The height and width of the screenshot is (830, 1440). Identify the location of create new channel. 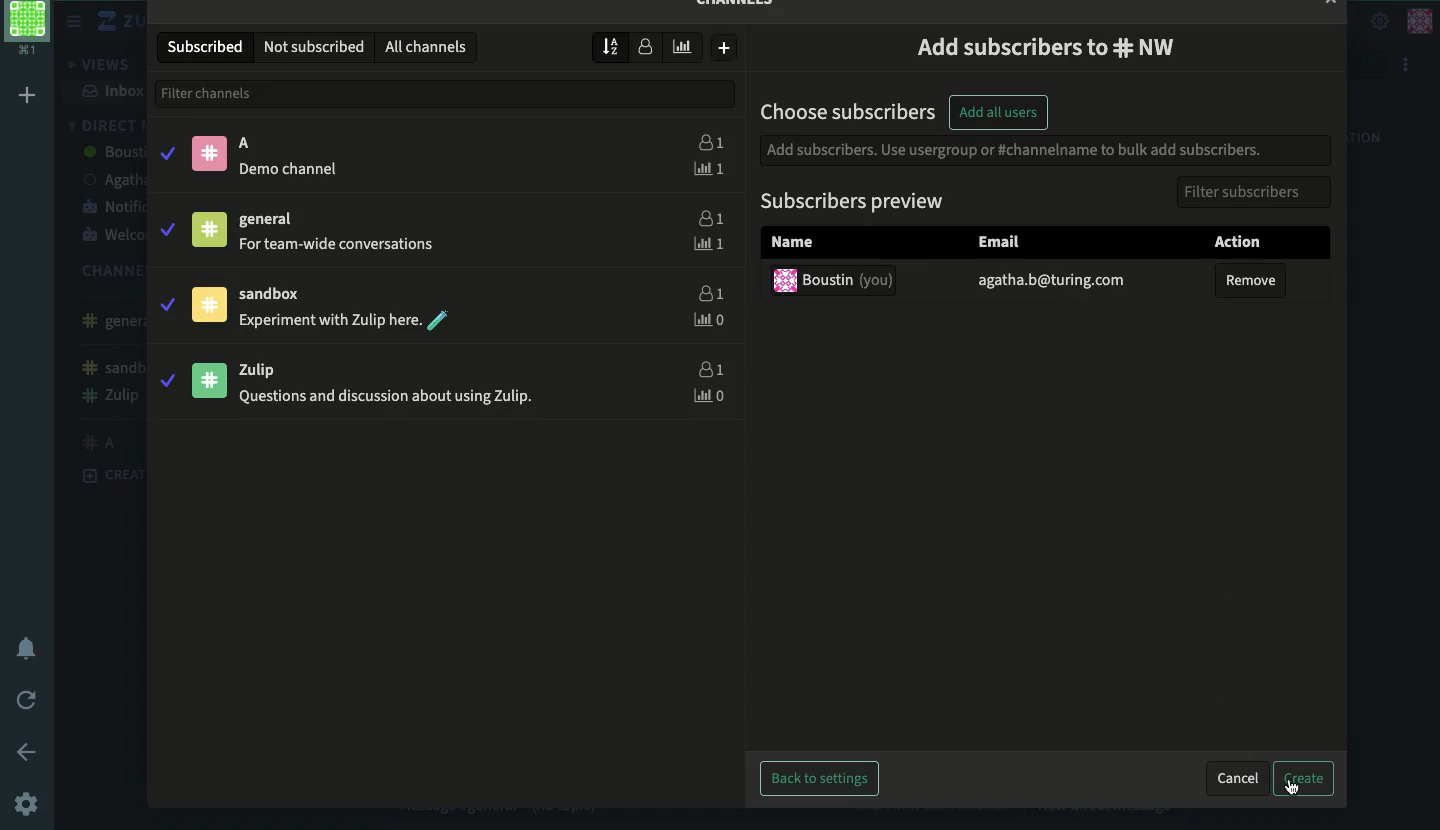
(726, 49).